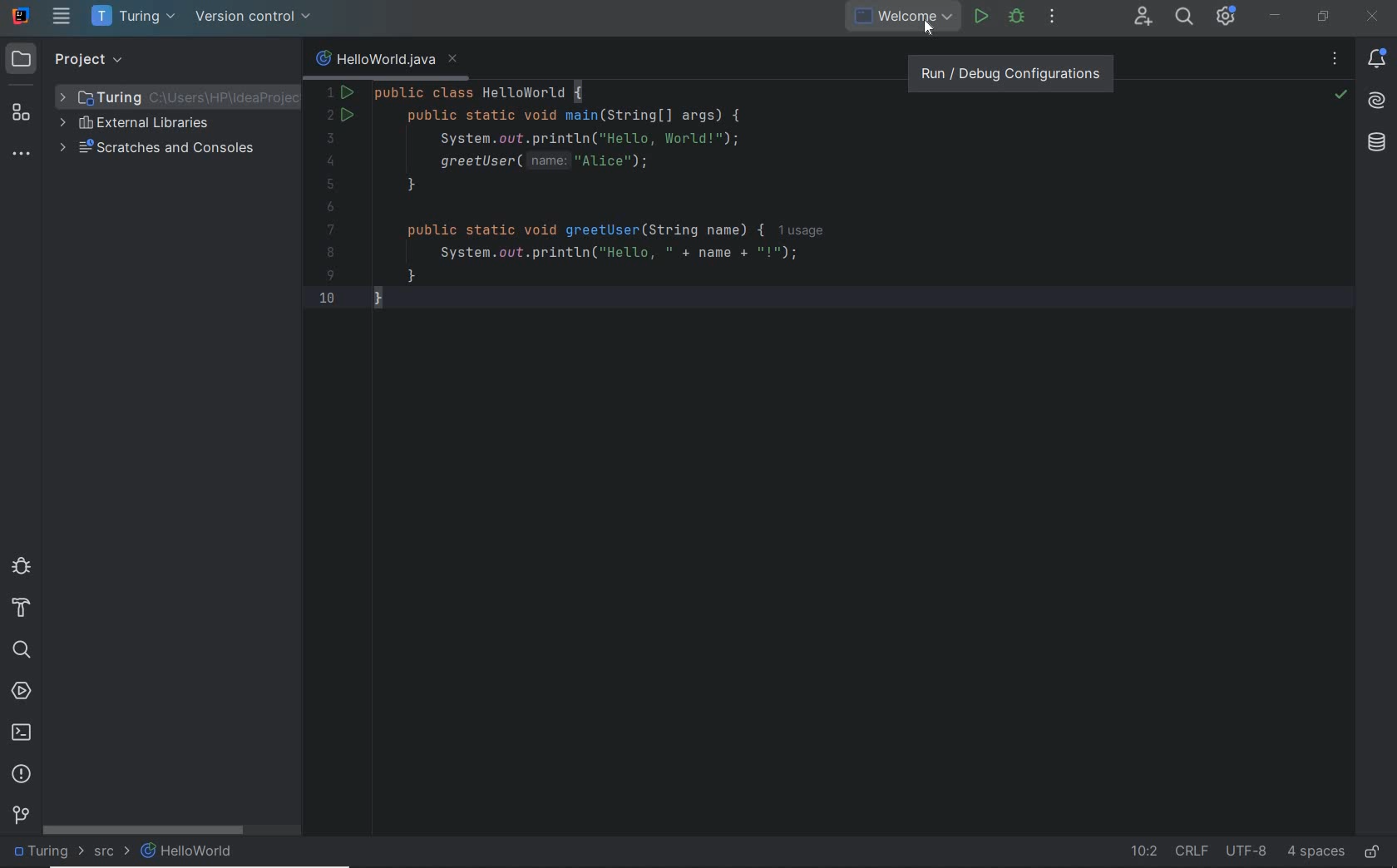  I want to click on run, so click(980, 16).